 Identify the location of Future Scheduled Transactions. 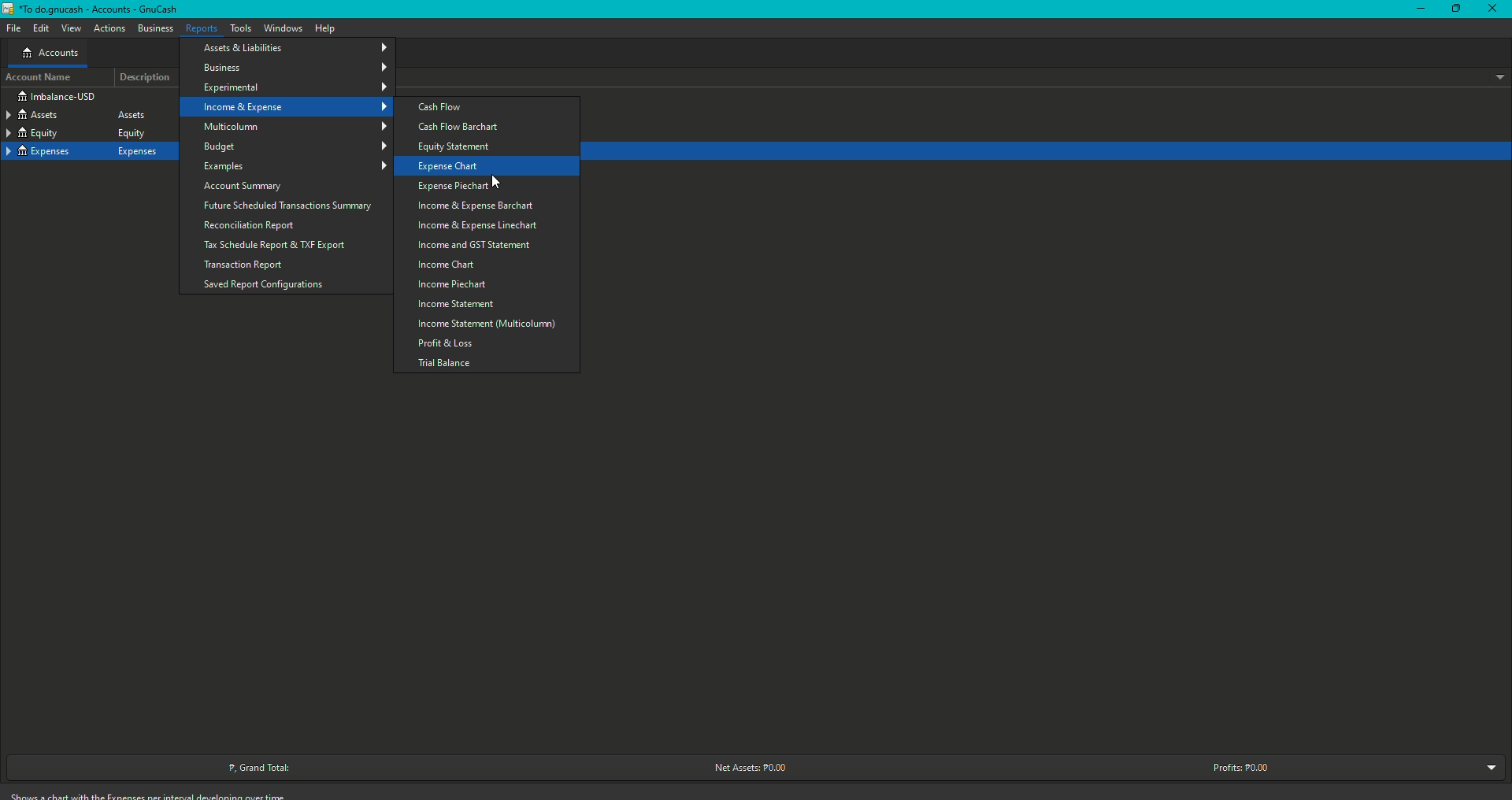
(294, 205).